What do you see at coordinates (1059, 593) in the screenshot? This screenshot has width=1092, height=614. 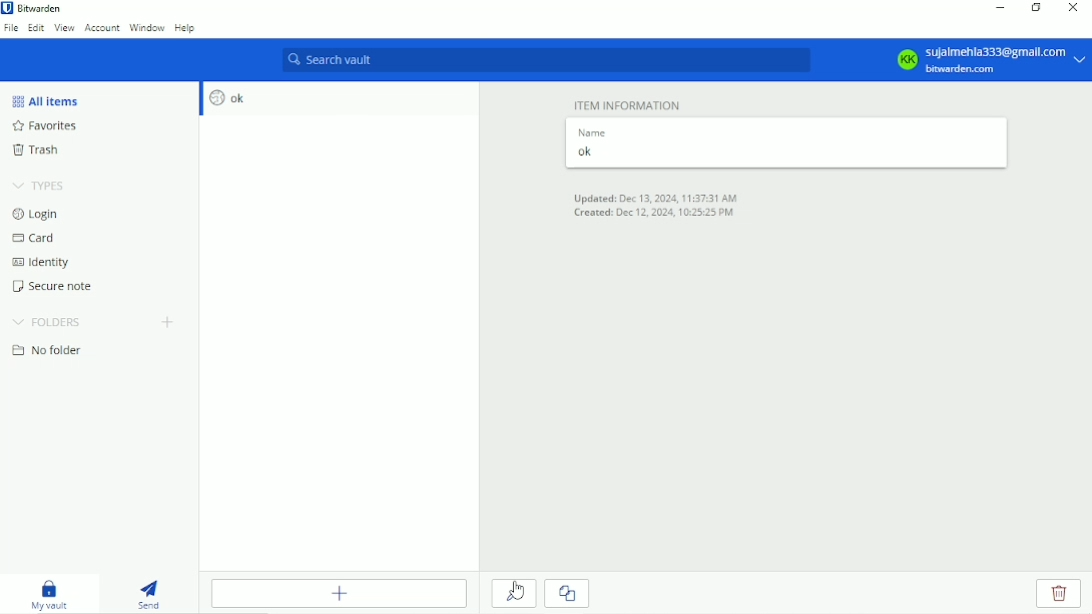 I see `Delete` at bounding box center [1059, 593].